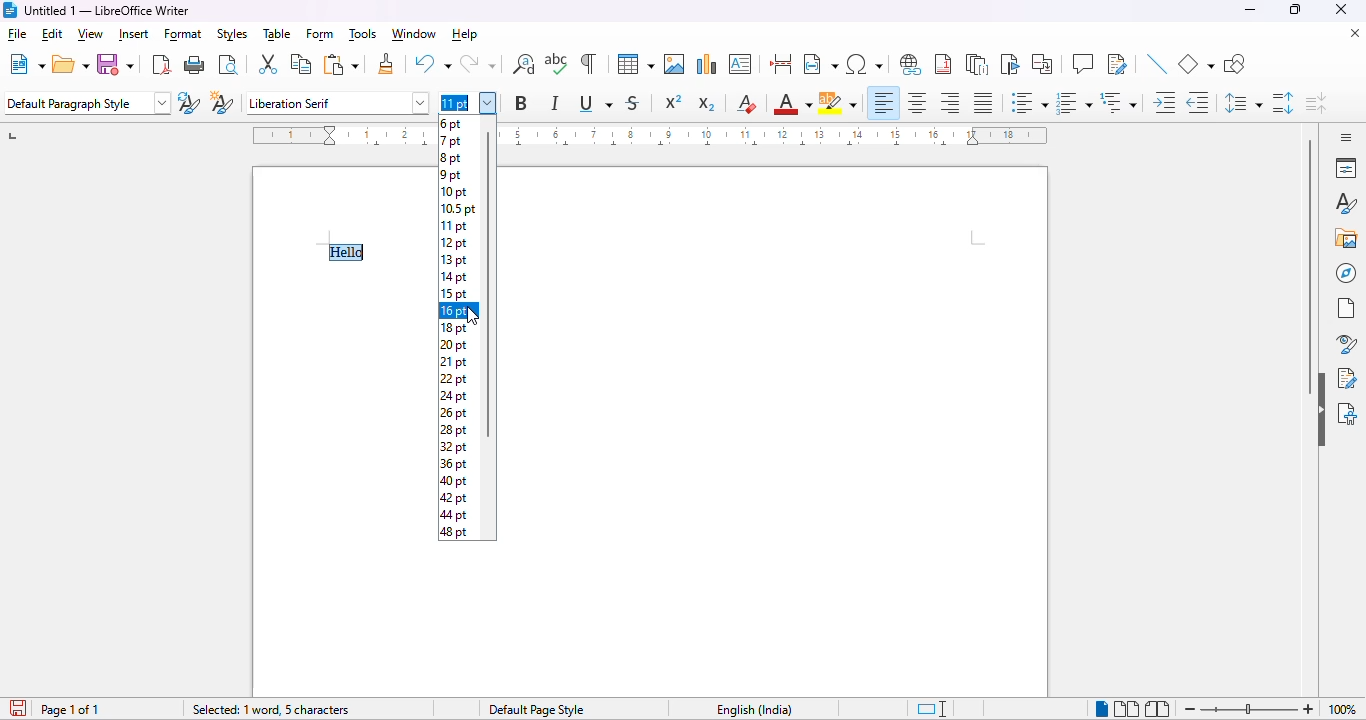 This screenshot has width=1366, height=720. What do you see at coordinates (1348, 414) in the screenshot?
I see `accessibility check` at bounding box center [1348, 414].